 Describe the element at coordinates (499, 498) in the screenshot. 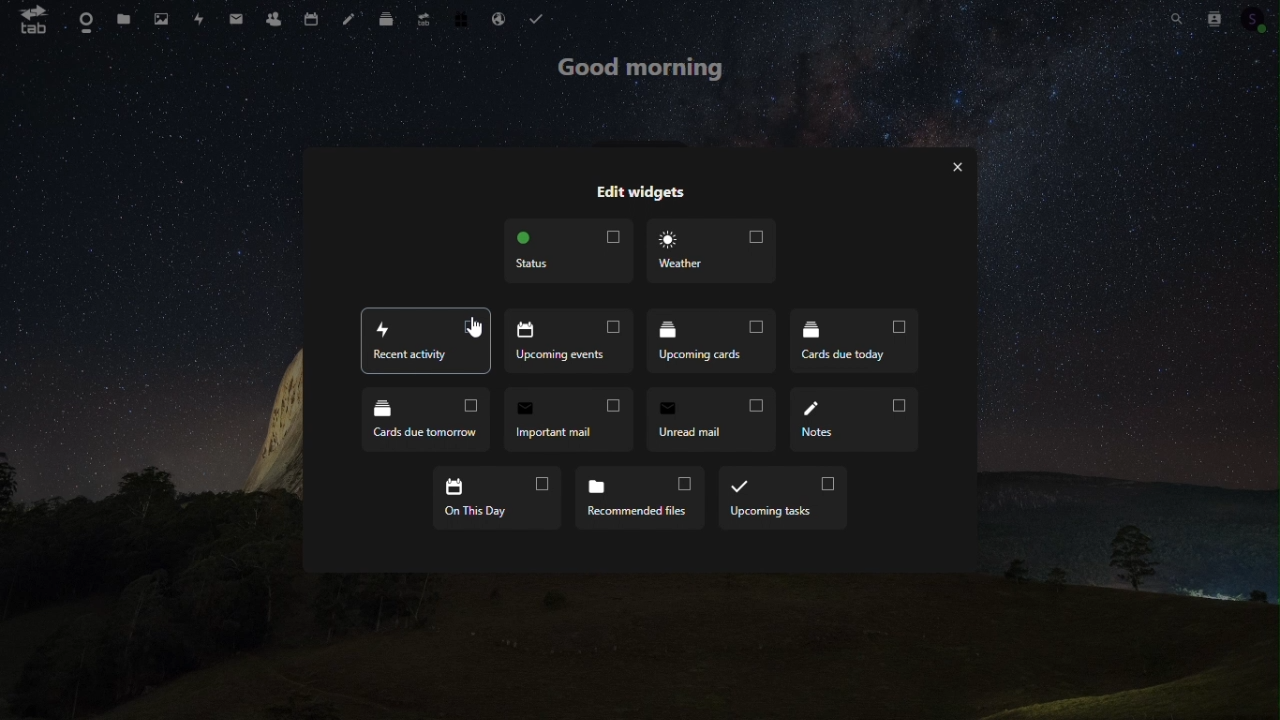

I see `On this day` at that location.